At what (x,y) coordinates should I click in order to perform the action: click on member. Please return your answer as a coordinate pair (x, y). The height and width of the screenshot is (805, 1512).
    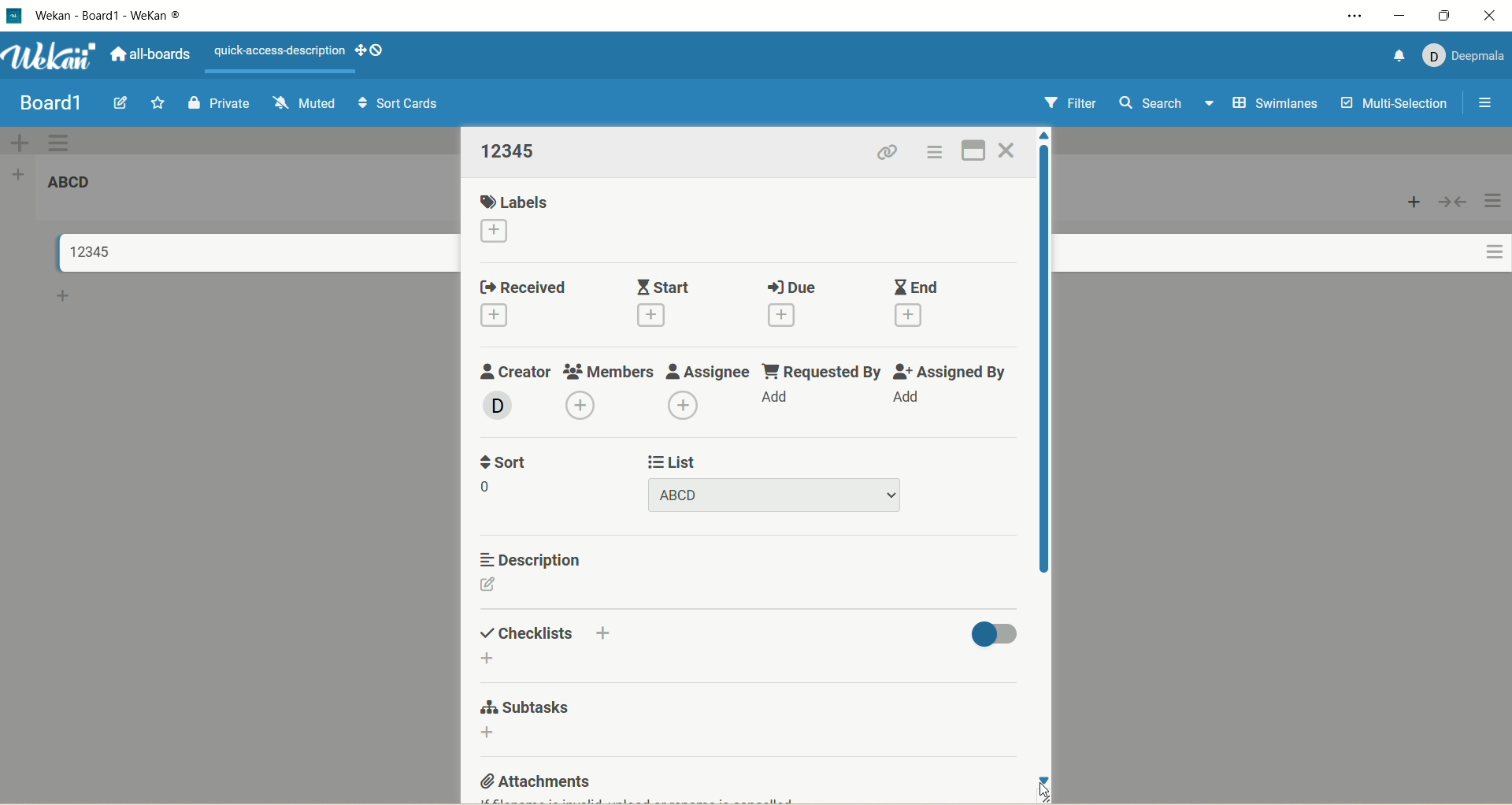
    Looking at the image, I should click on (495, 404).